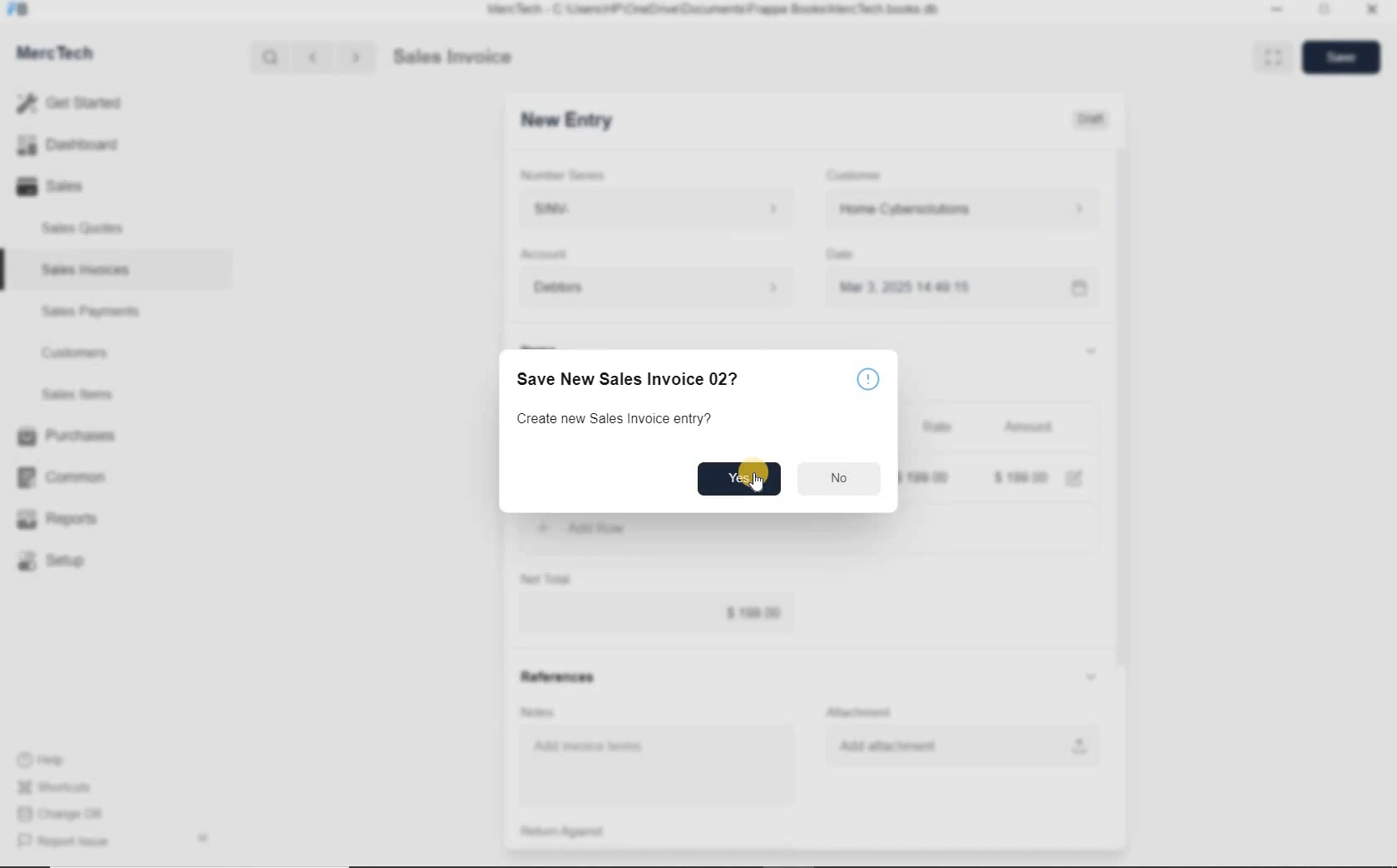 The image size is (1397, 868). I want to click on Rate, so click(935, 428).